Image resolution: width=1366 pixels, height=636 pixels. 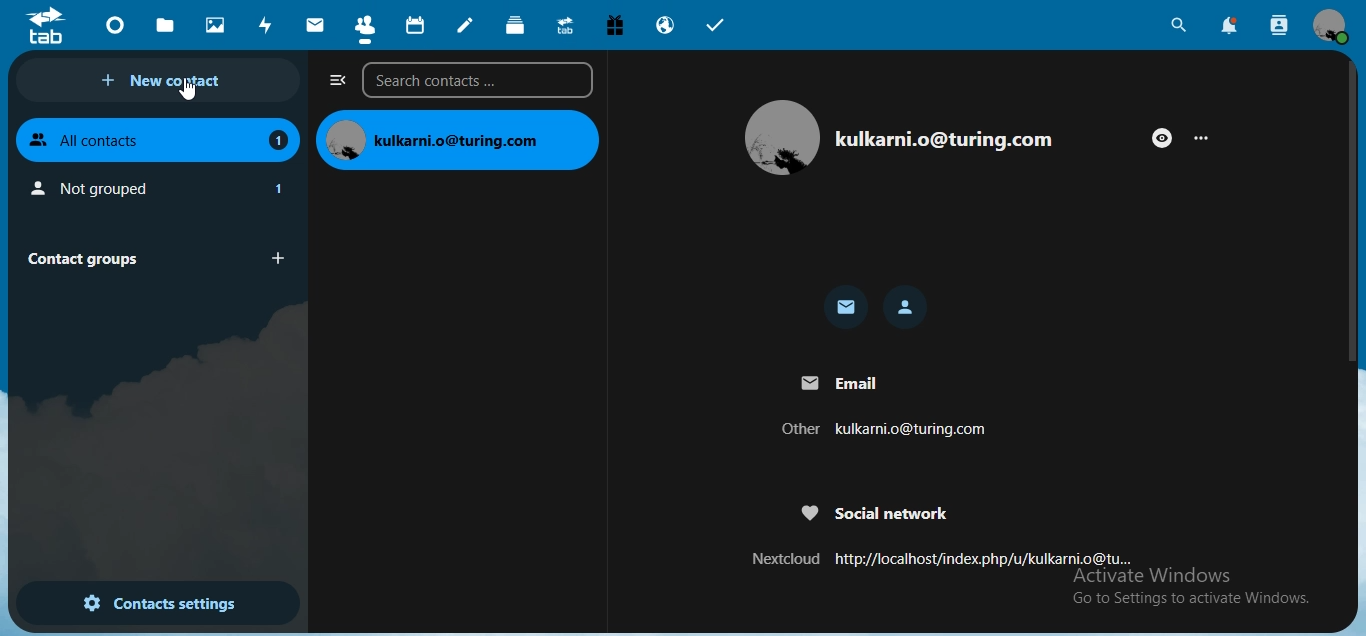 I want to click on email, so click(x=890, y=407).